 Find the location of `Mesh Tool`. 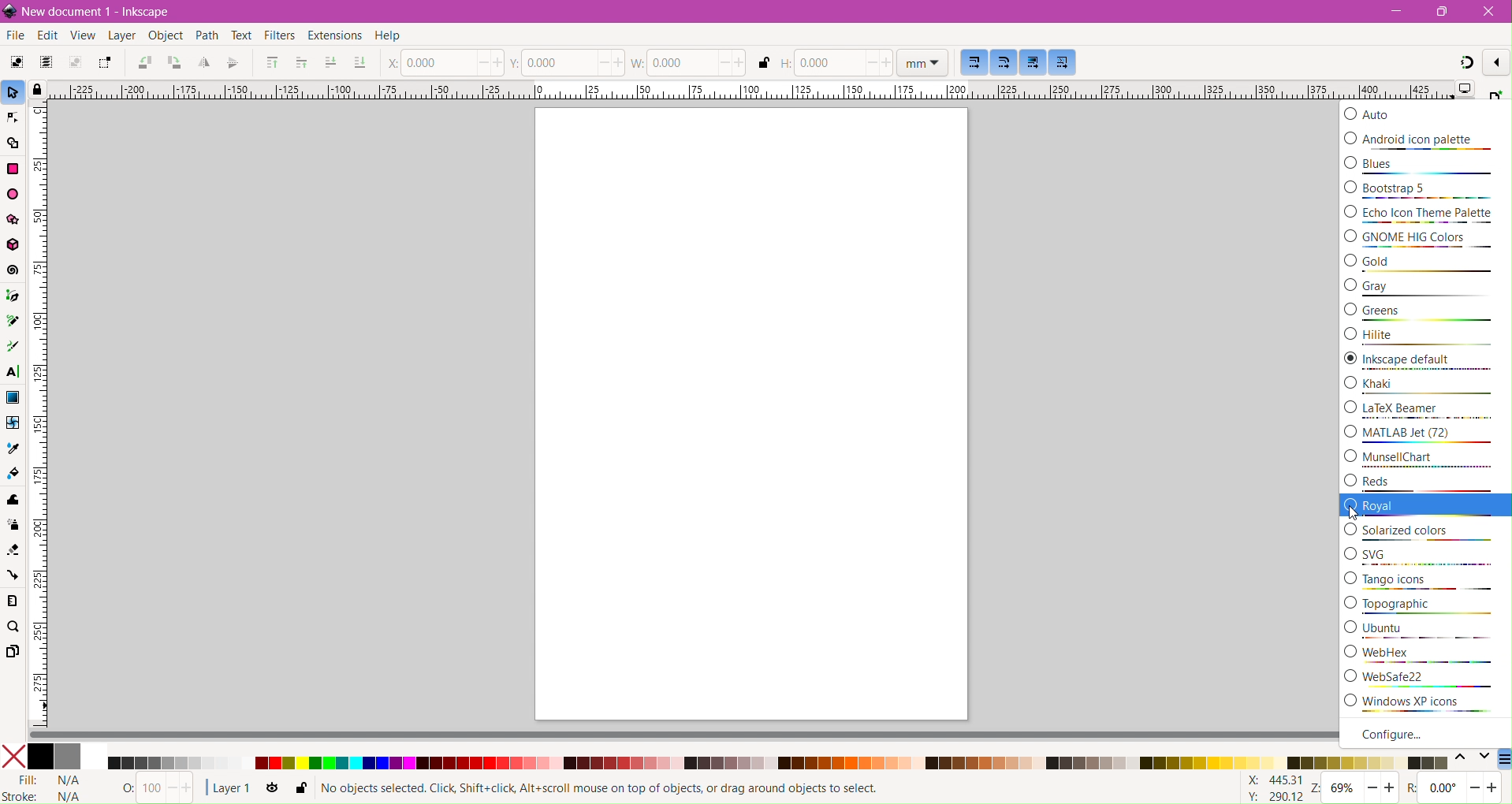

Mesh Tool is located at coordinates (12, 422).